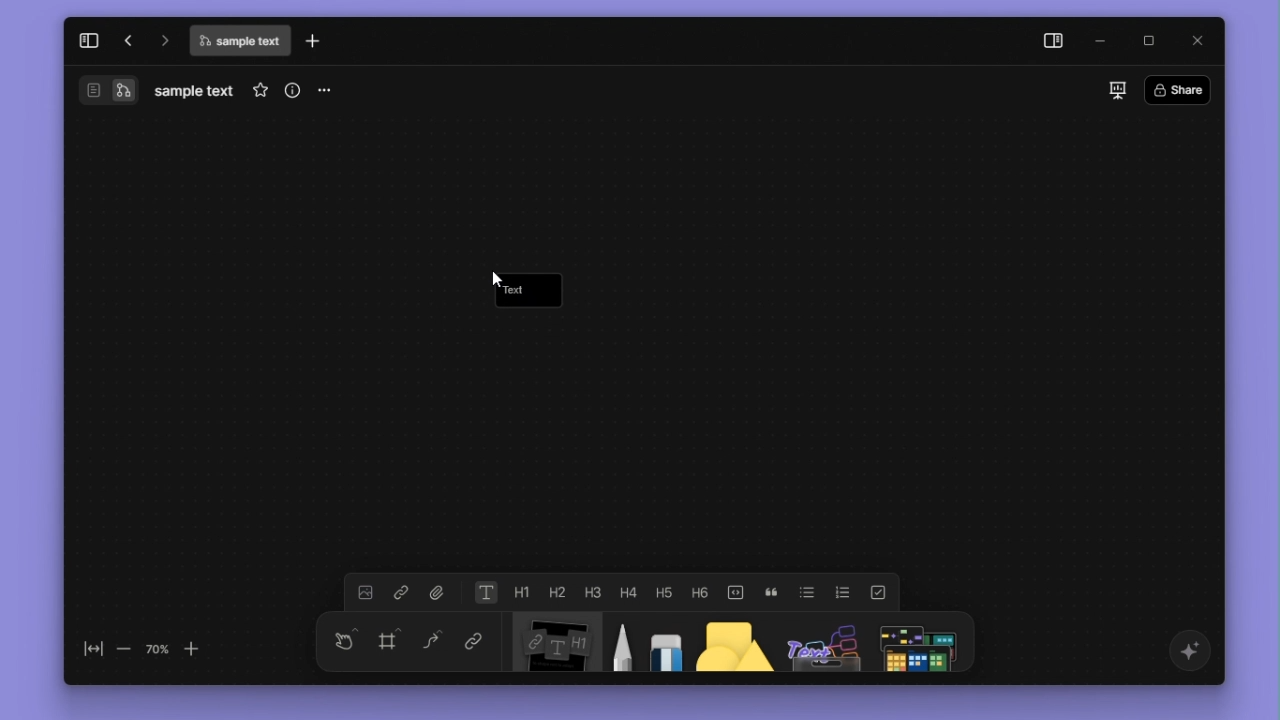 The image size is (1280, 720). I want to click on eraser, so click(662, 643).